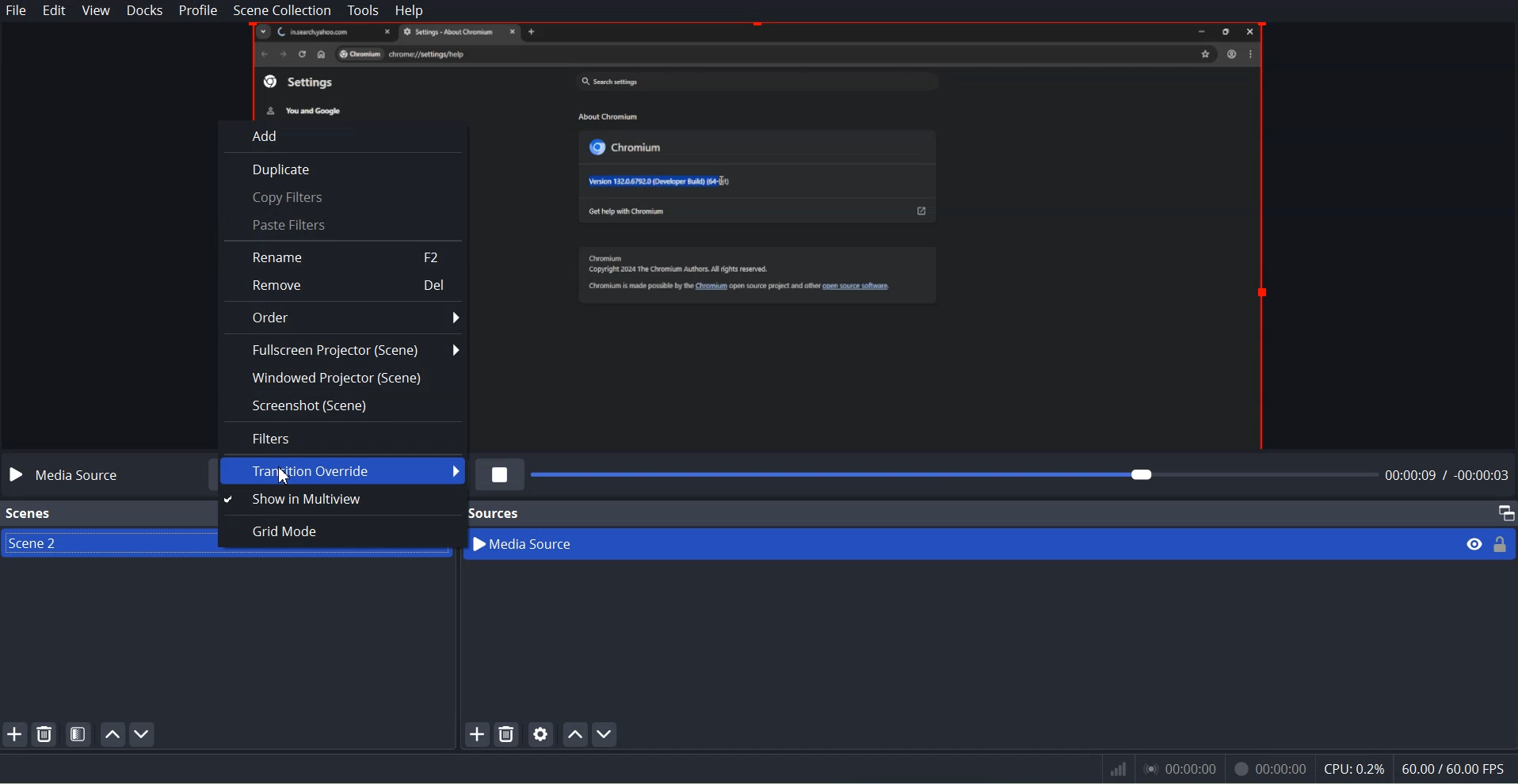 Image resolution: width=1518 pixels, height=784 pixels. I want to click on Show Multiview, so click(335, 500).